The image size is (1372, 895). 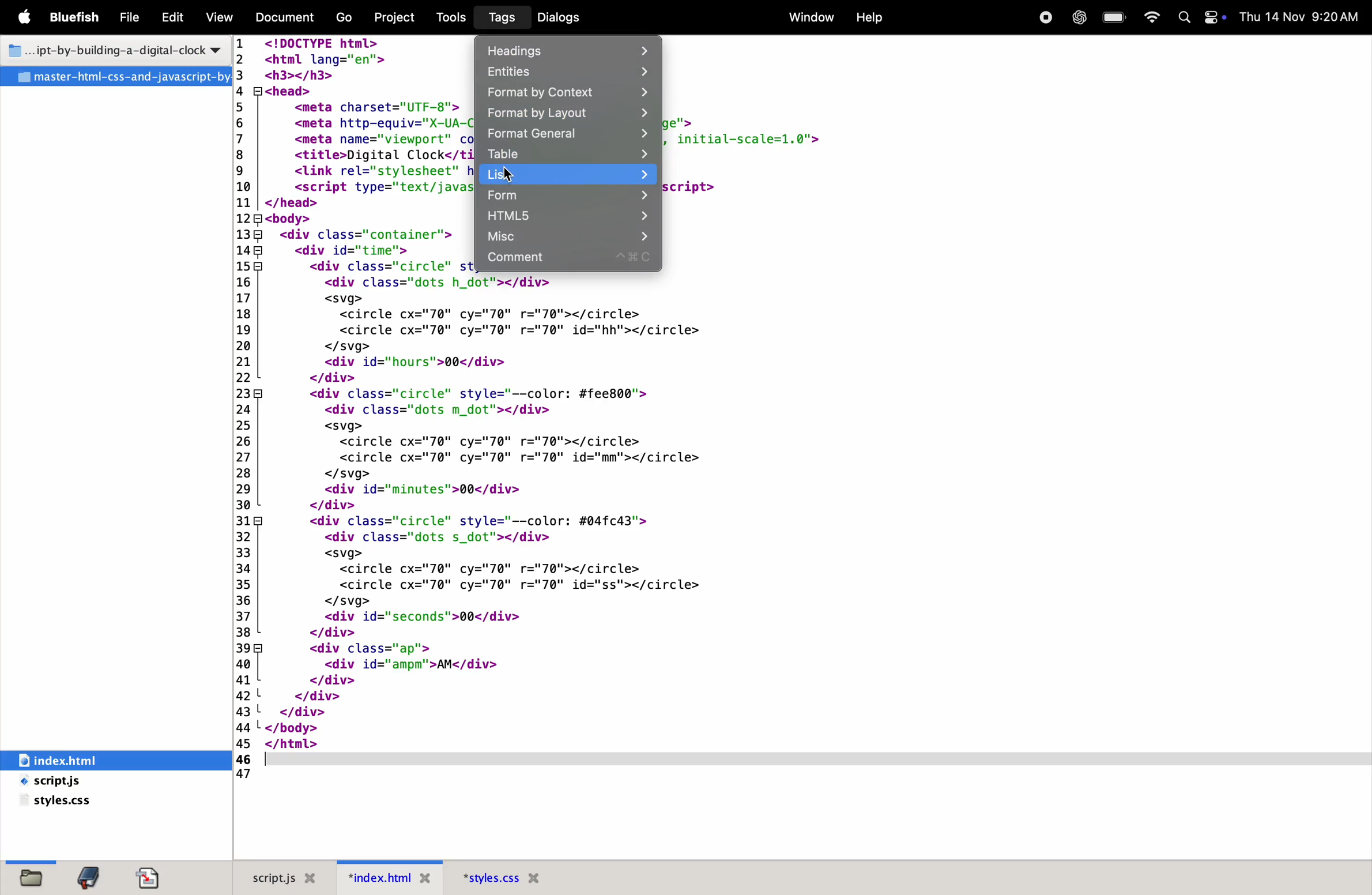 What do you see at coordinates (1076, 18) in the screenshot?
I see `Chatgpt` at bounding box center [1076, 18].